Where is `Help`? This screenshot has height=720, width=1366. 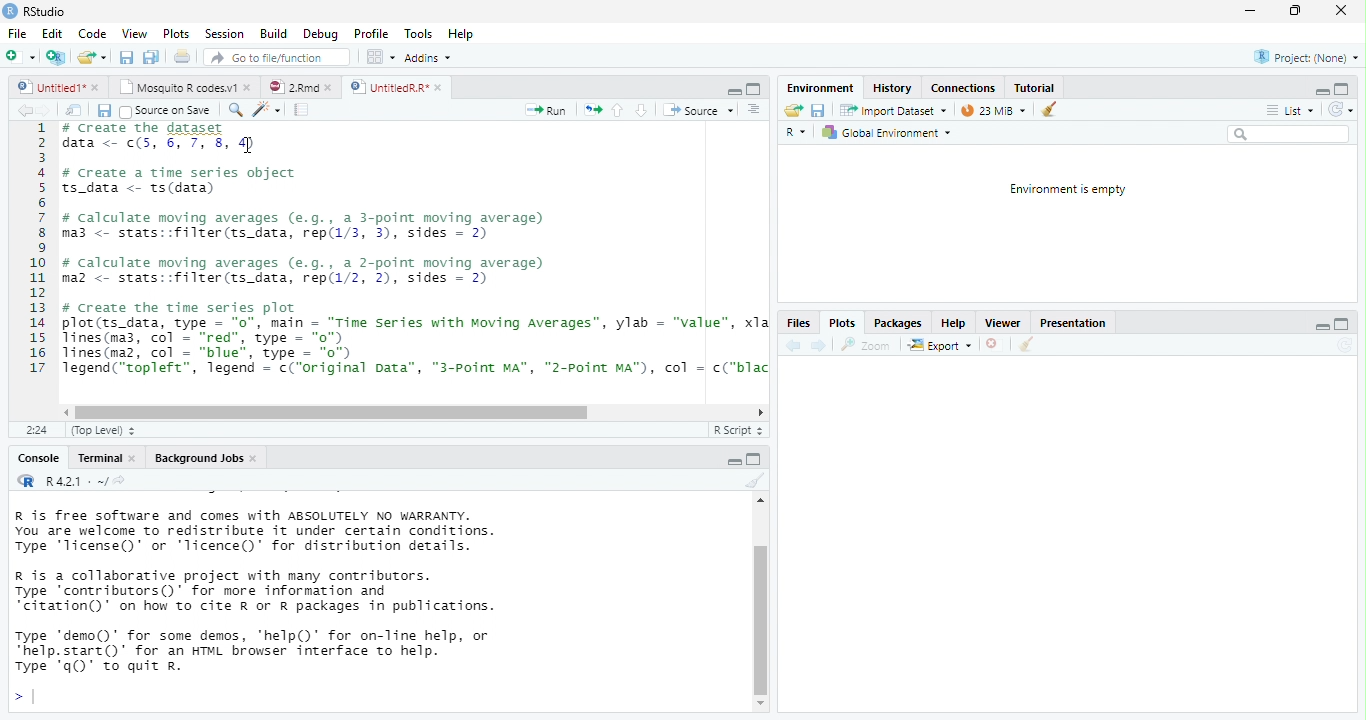 Help is located at coordinates (951, 323).